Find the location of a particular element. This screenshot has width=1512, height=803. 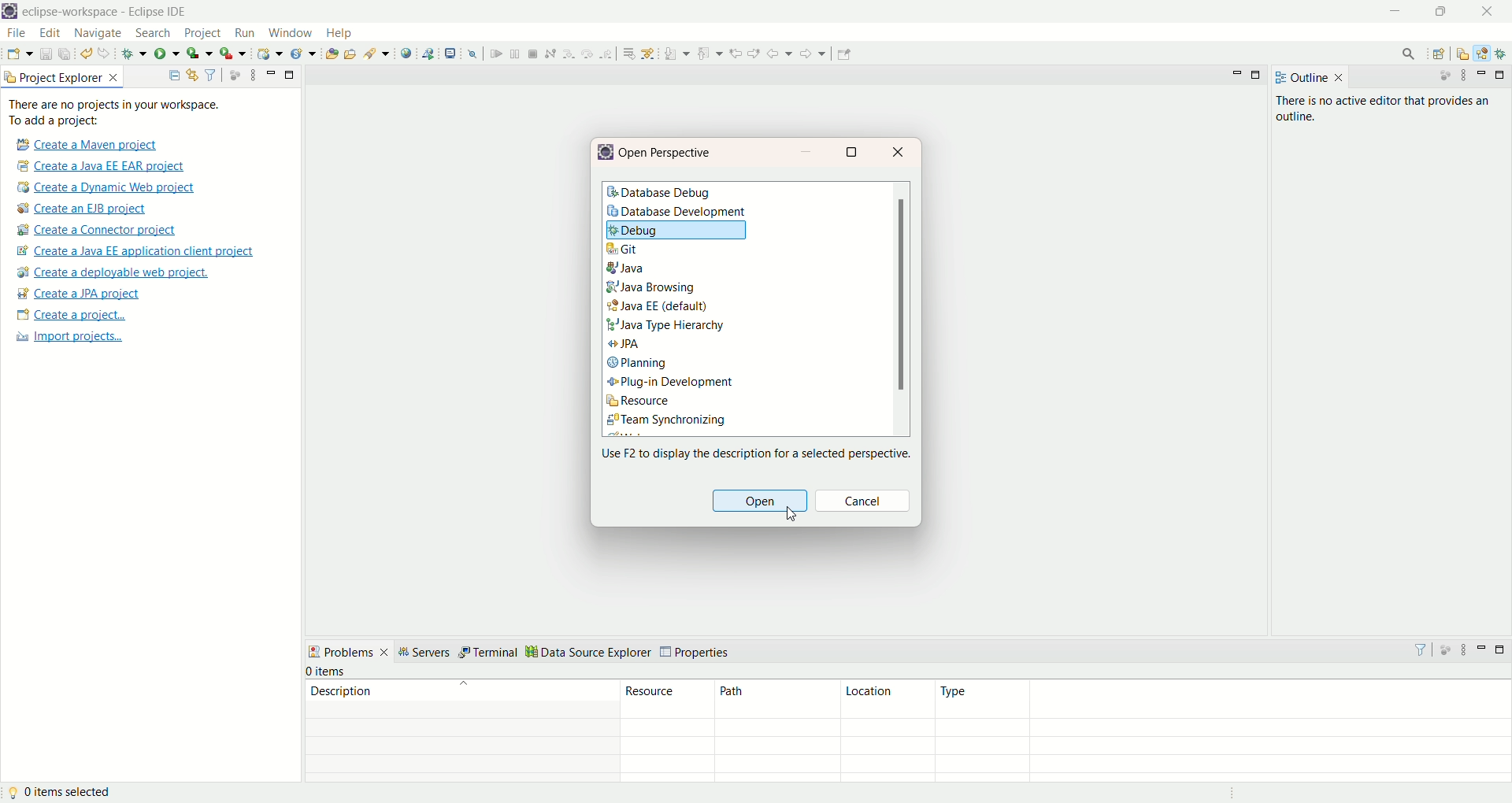

create a Java EE EAR project is located at coordinates (103, 165).